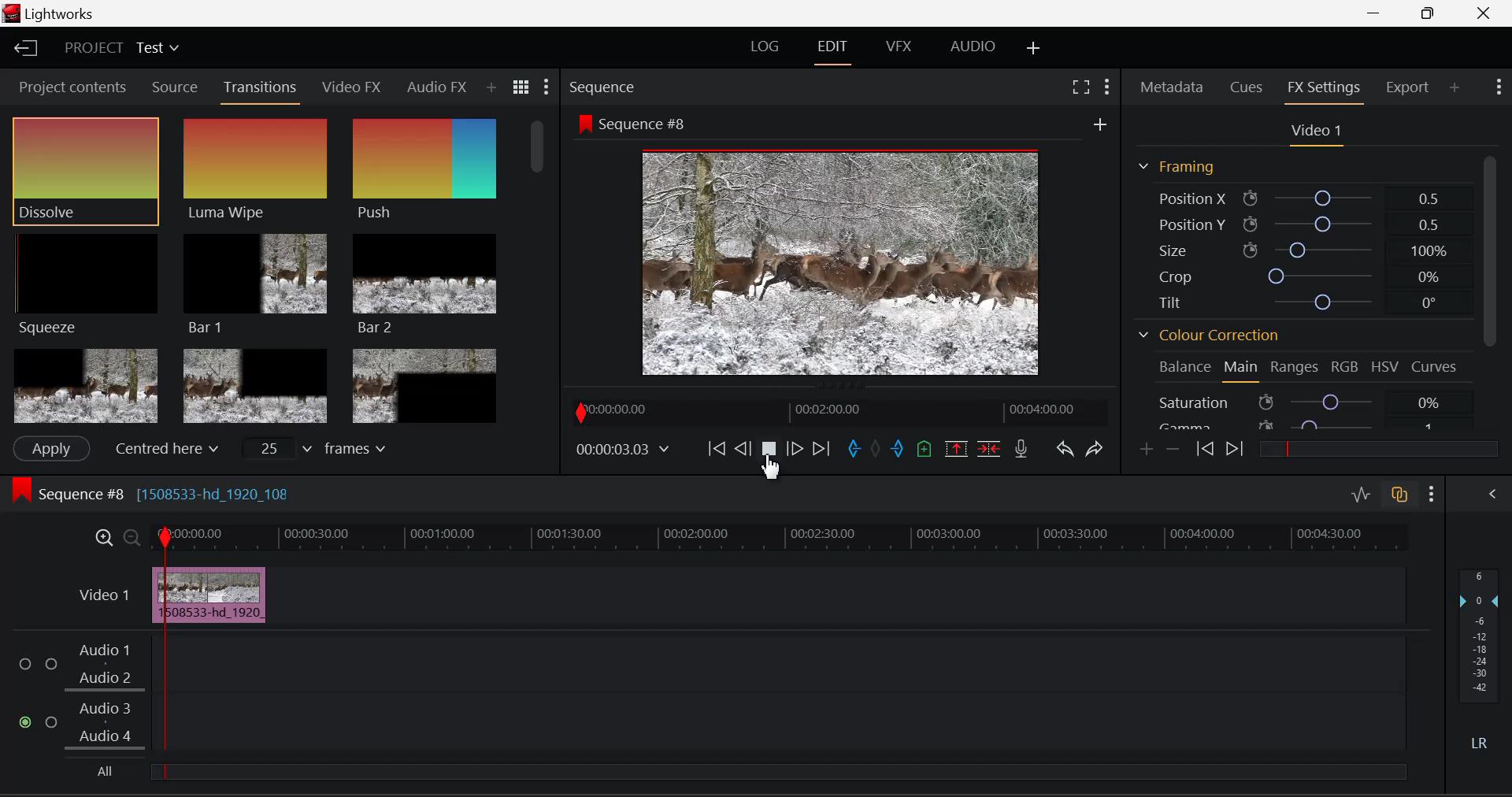 The height and width of the screenshot is (797, 1512). Describe the element at coordinates (1204, 449) in the screenshot. I see `Previous keyframe` at that location.